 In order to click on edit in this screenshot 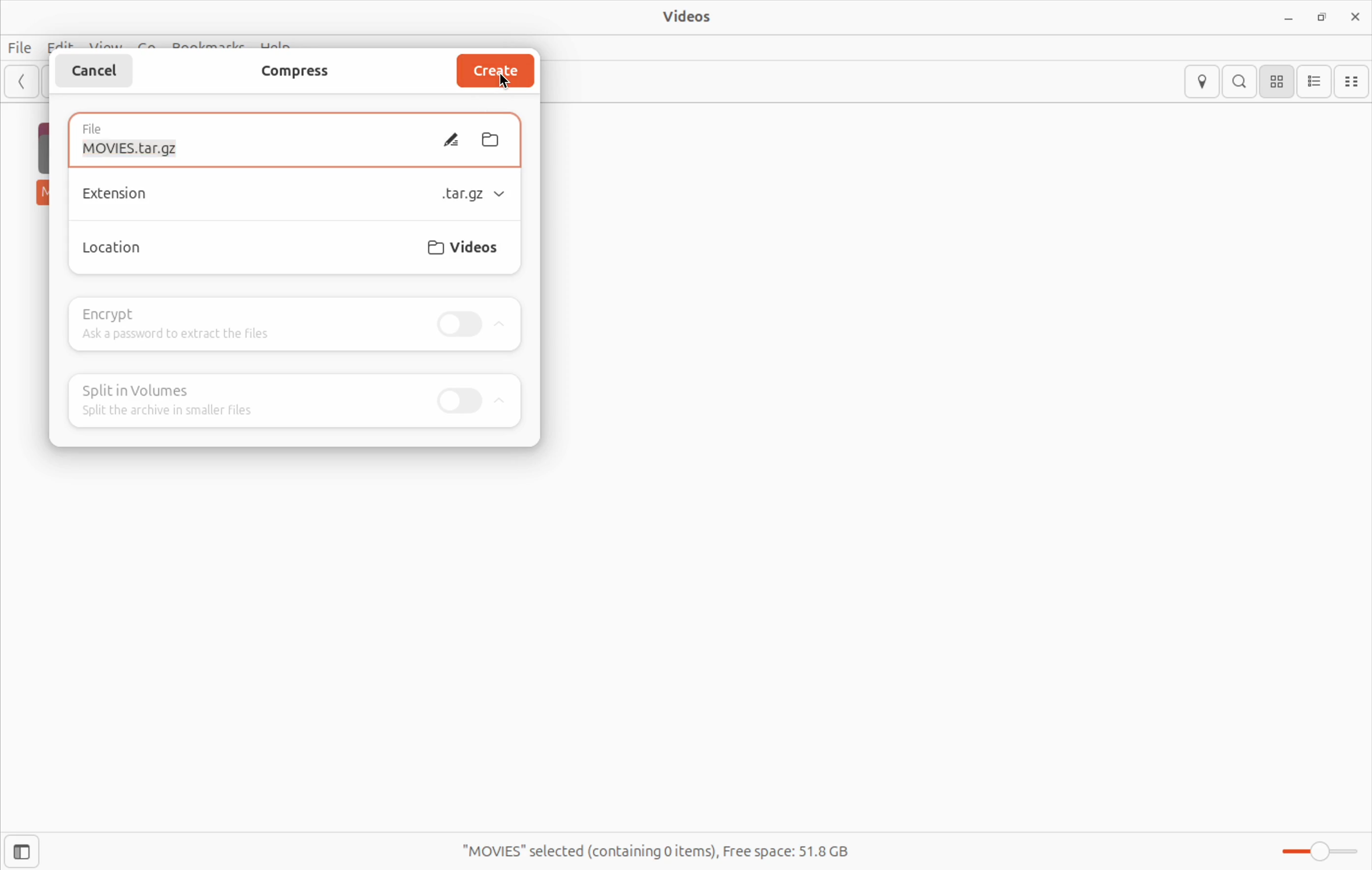, I will do `click(454, 142)`.